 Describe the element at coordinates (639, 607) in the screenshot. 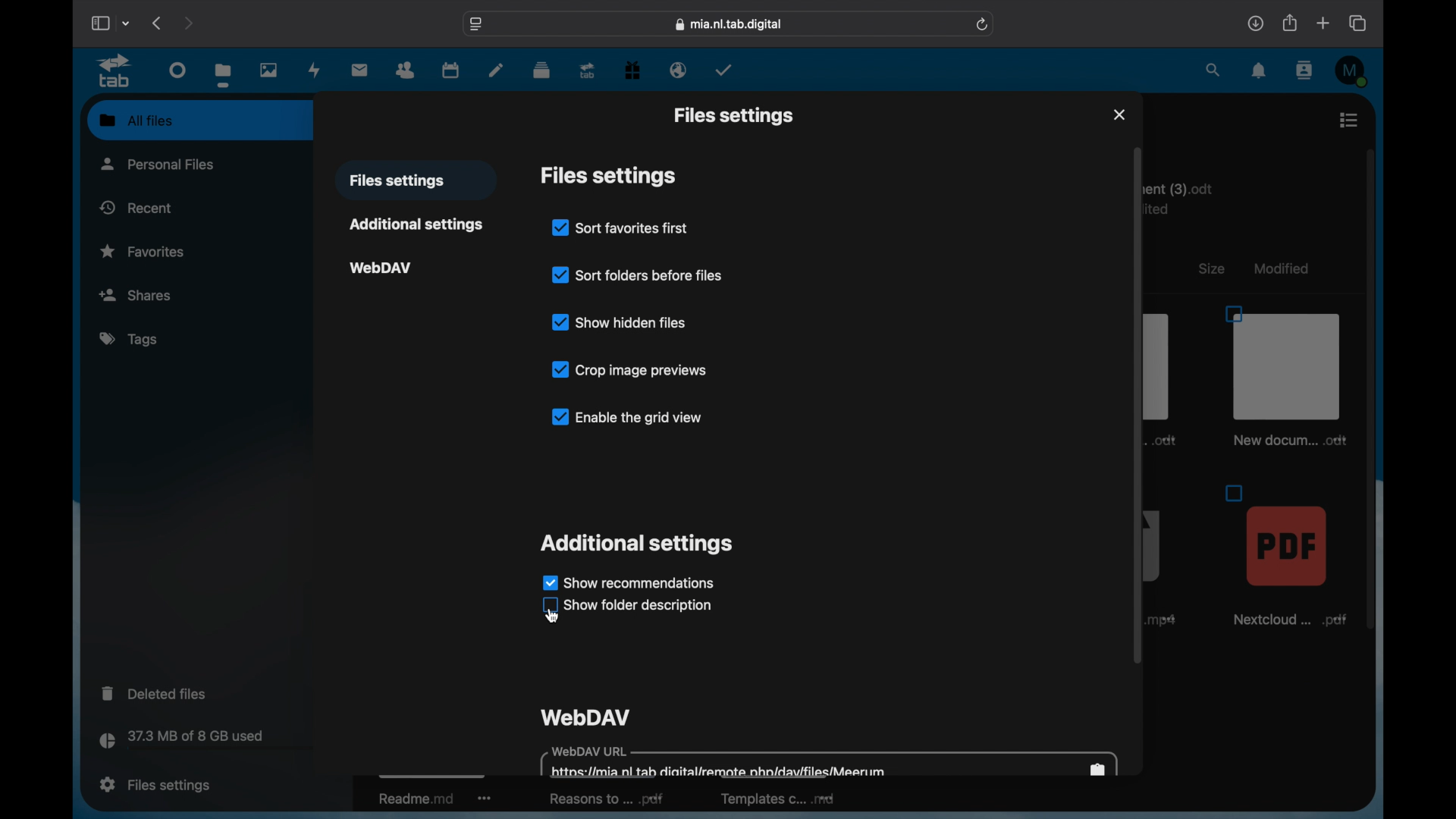

I see `show folder description` at that location.